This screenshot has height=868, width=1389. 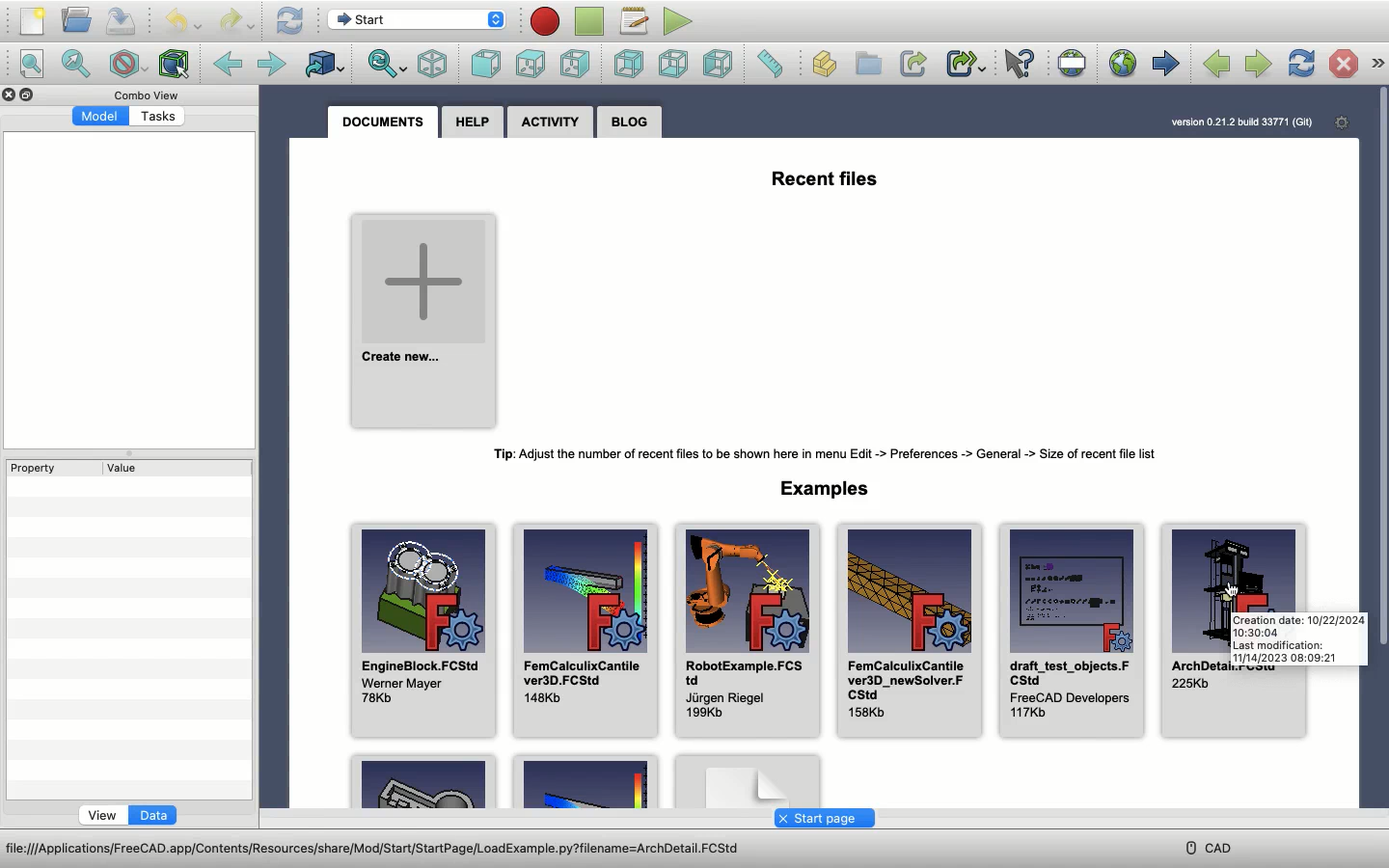 I want to click on New, so click(x=34, y=20).